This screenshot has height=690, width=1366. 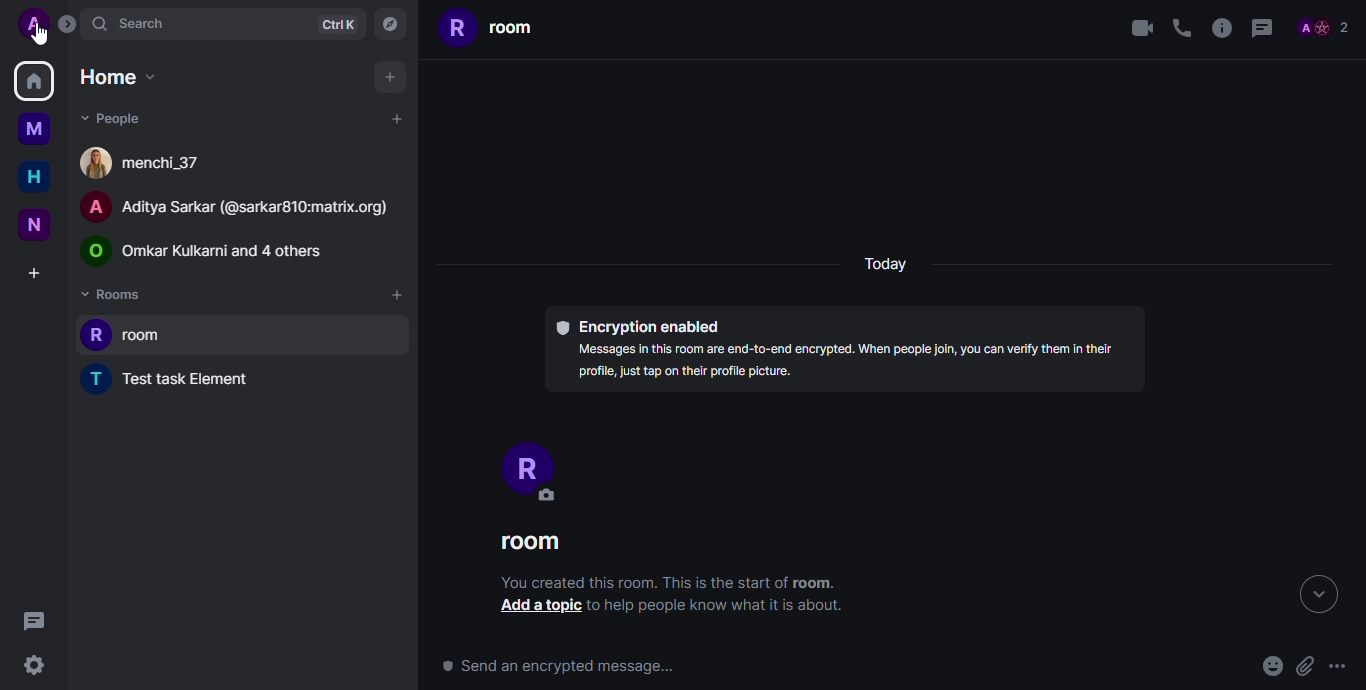 I want to click on attach, so click(x=1304, y=666).